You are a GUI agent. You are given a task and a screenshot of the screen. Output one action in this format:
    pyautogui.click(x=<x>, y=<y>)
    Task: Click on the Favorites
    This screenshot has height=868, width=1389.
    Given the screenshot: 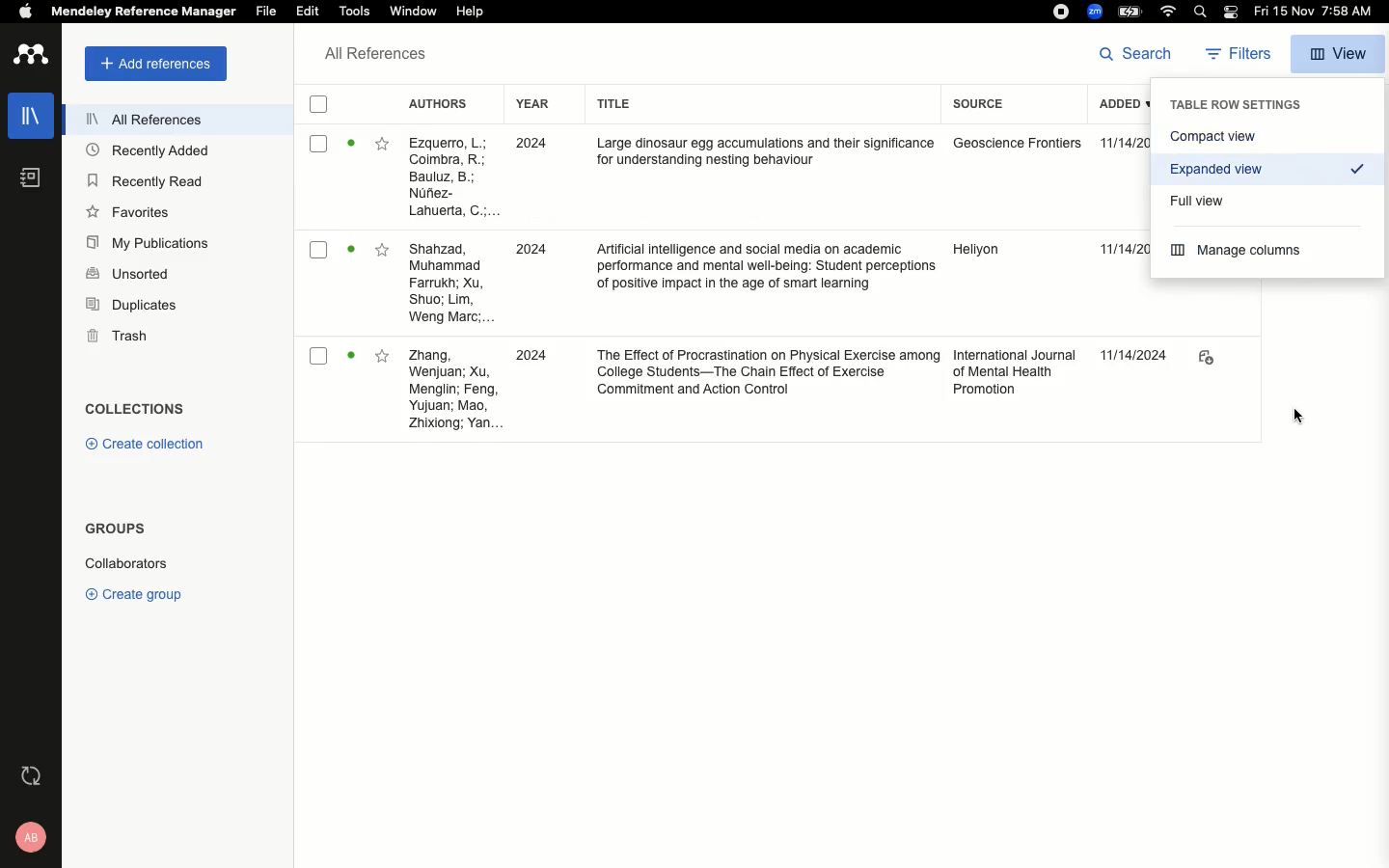 What is the action you would take?
    pyautogui.click(x=385, y=249)
    